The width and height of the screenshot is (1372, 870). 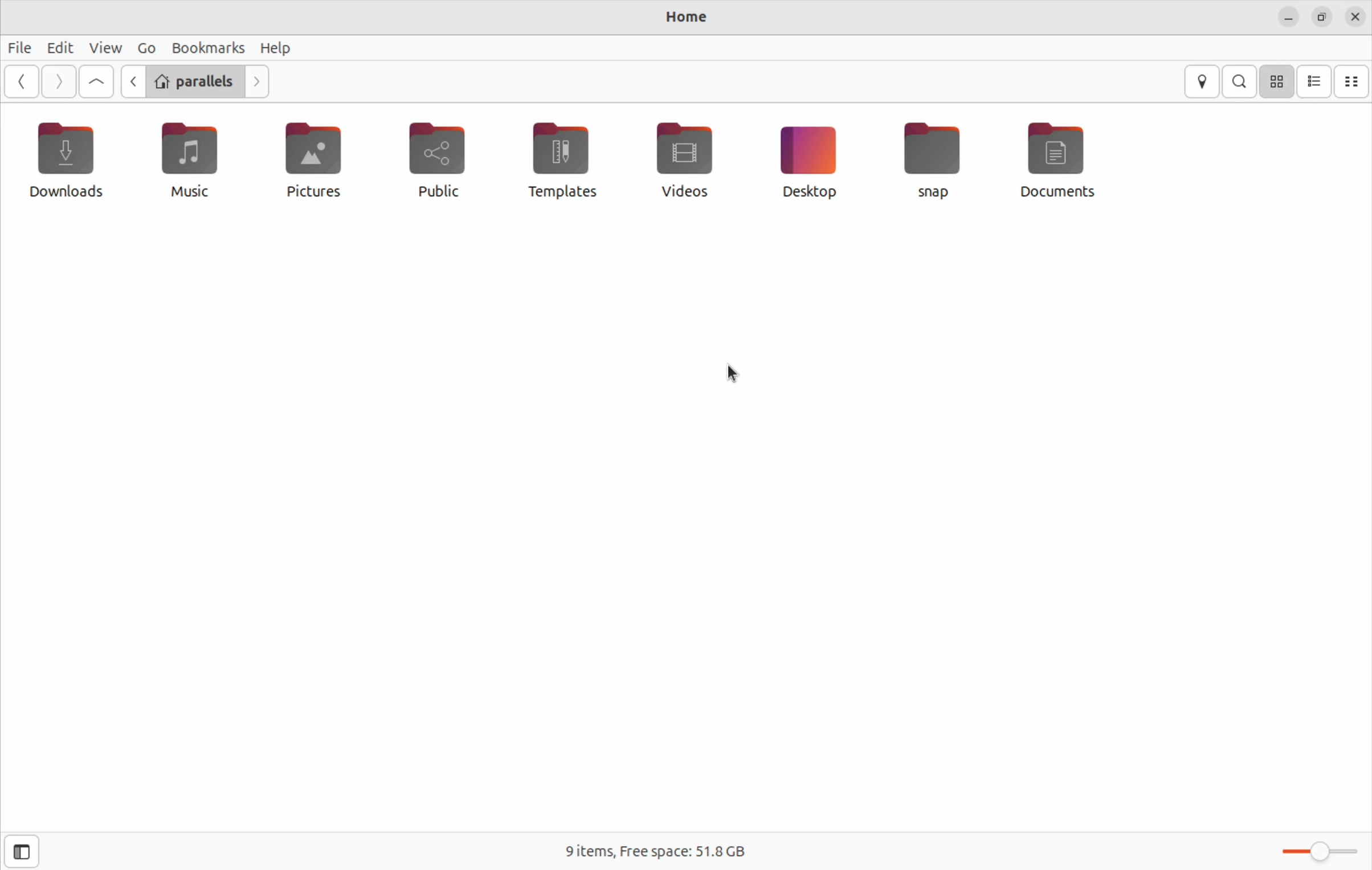 What do you see at coordinates (741, 375) in the screenshot?
I see `cursor` at bounding box center [741, 375].